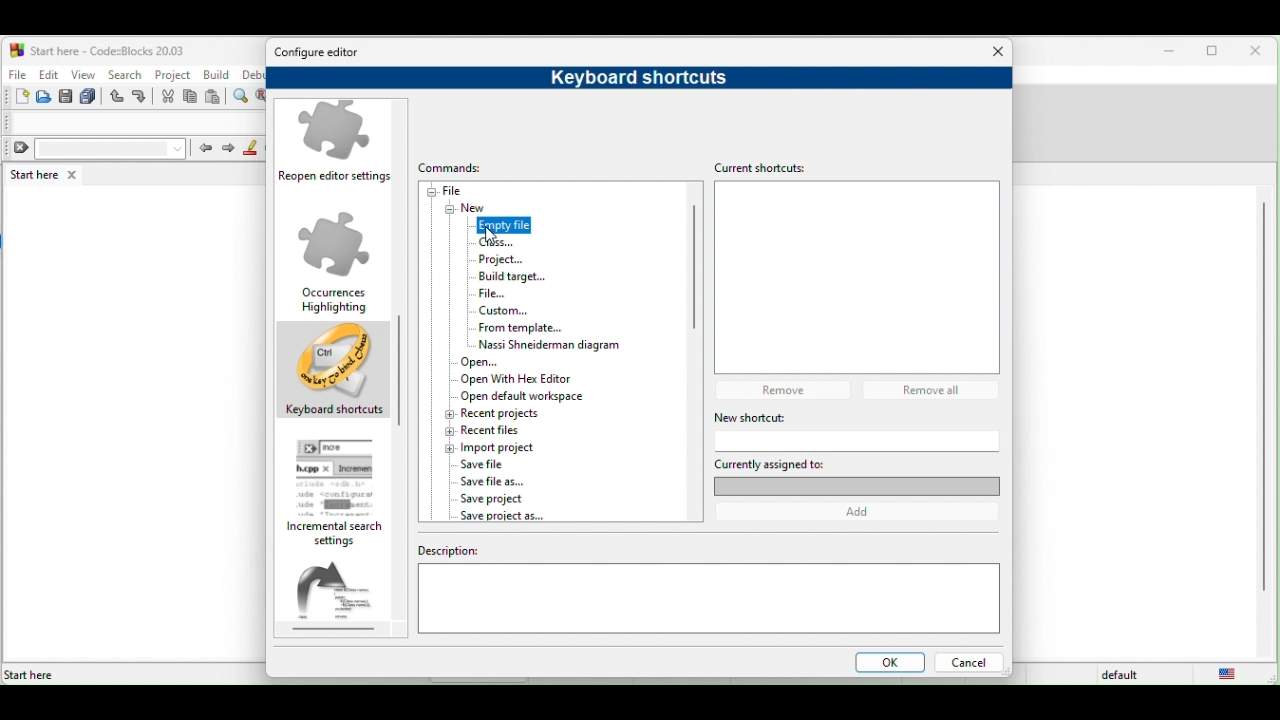  Describe the element at coordinates (968, 664) in the screenshot. I see `cancel` at that location.